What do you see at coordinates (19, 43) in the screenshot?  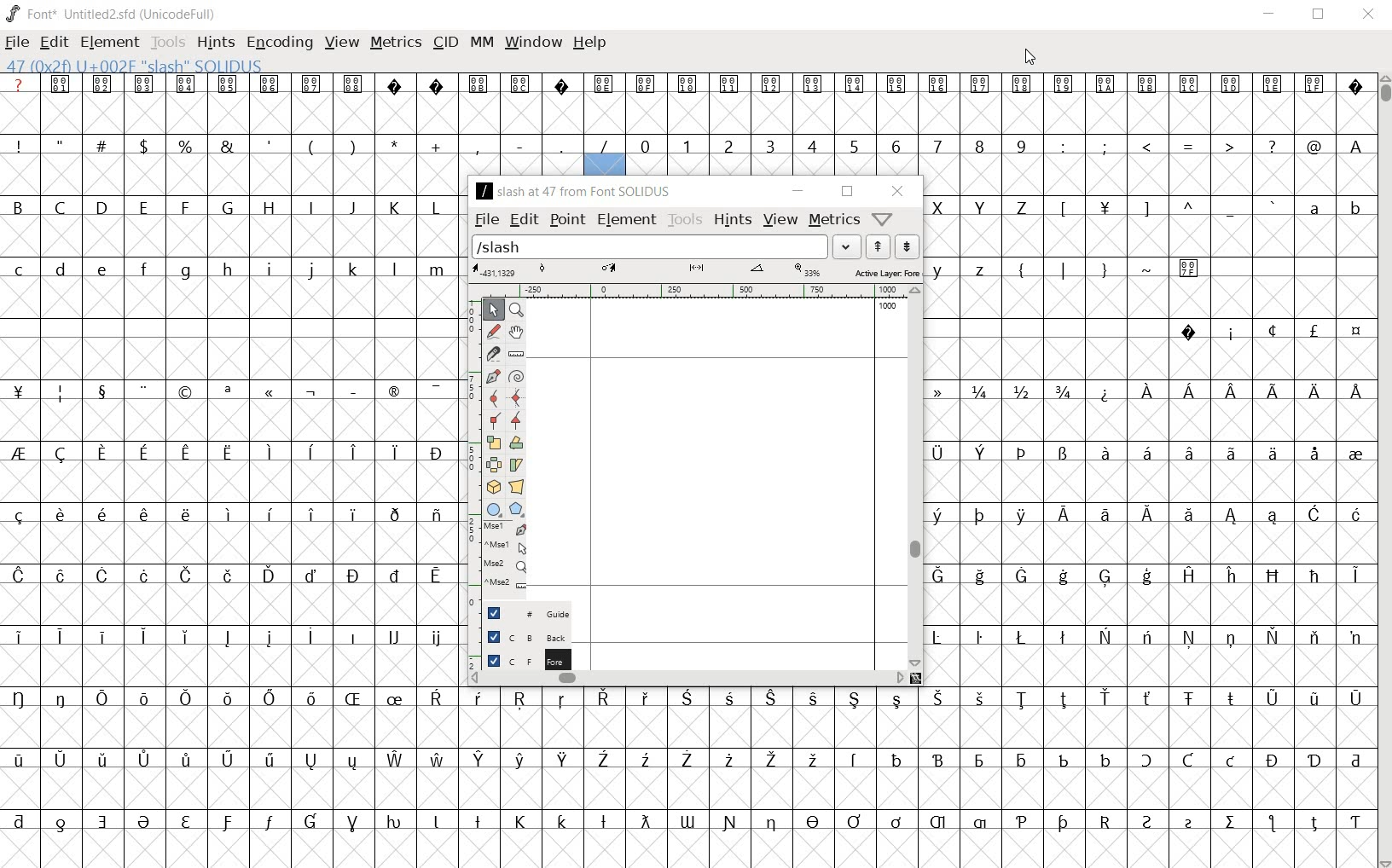 I see `FILE` at bounding box center [19, 43].